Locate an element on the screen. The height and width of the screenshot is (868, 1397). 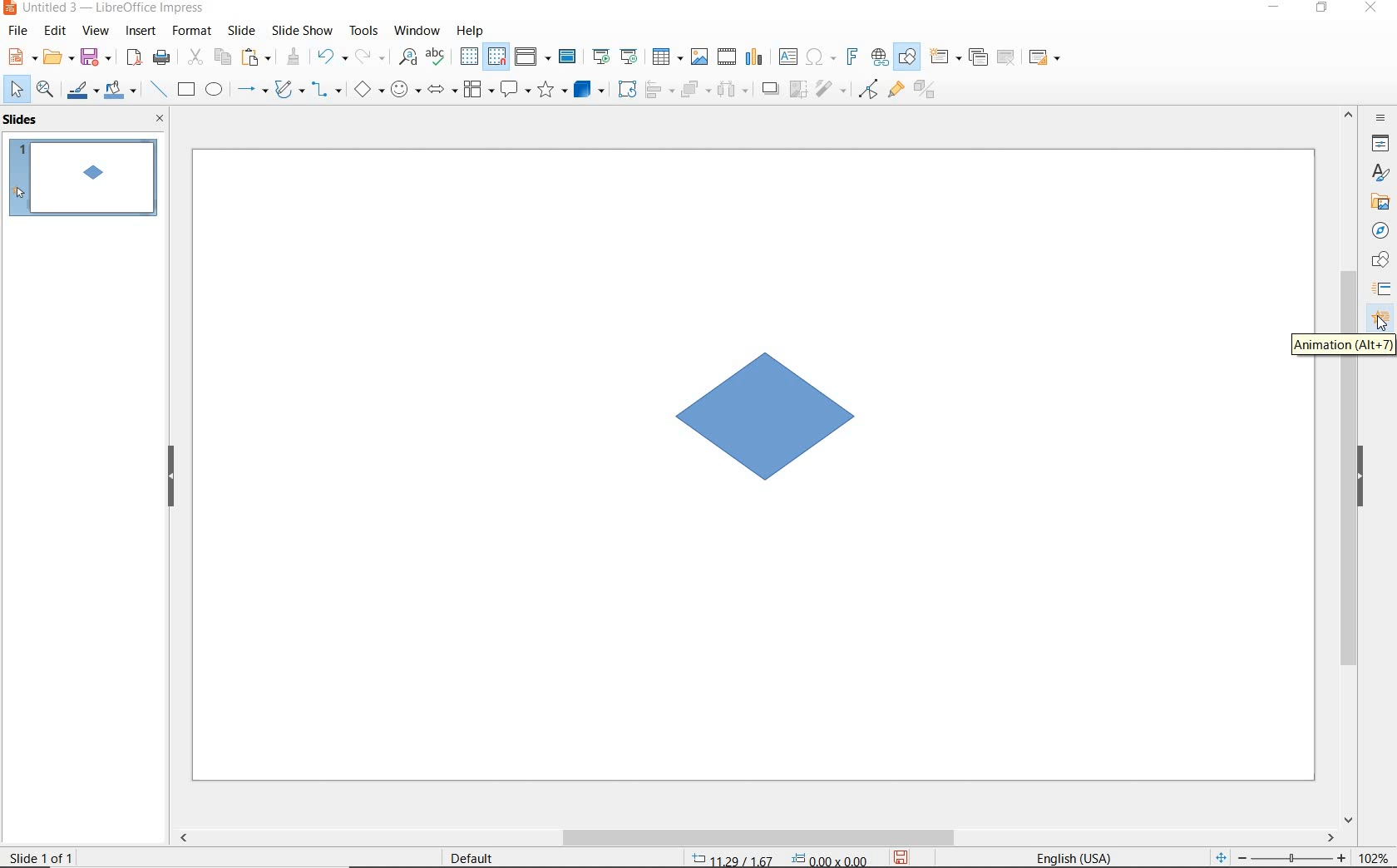
display grid is located at coordinates (469, 57).